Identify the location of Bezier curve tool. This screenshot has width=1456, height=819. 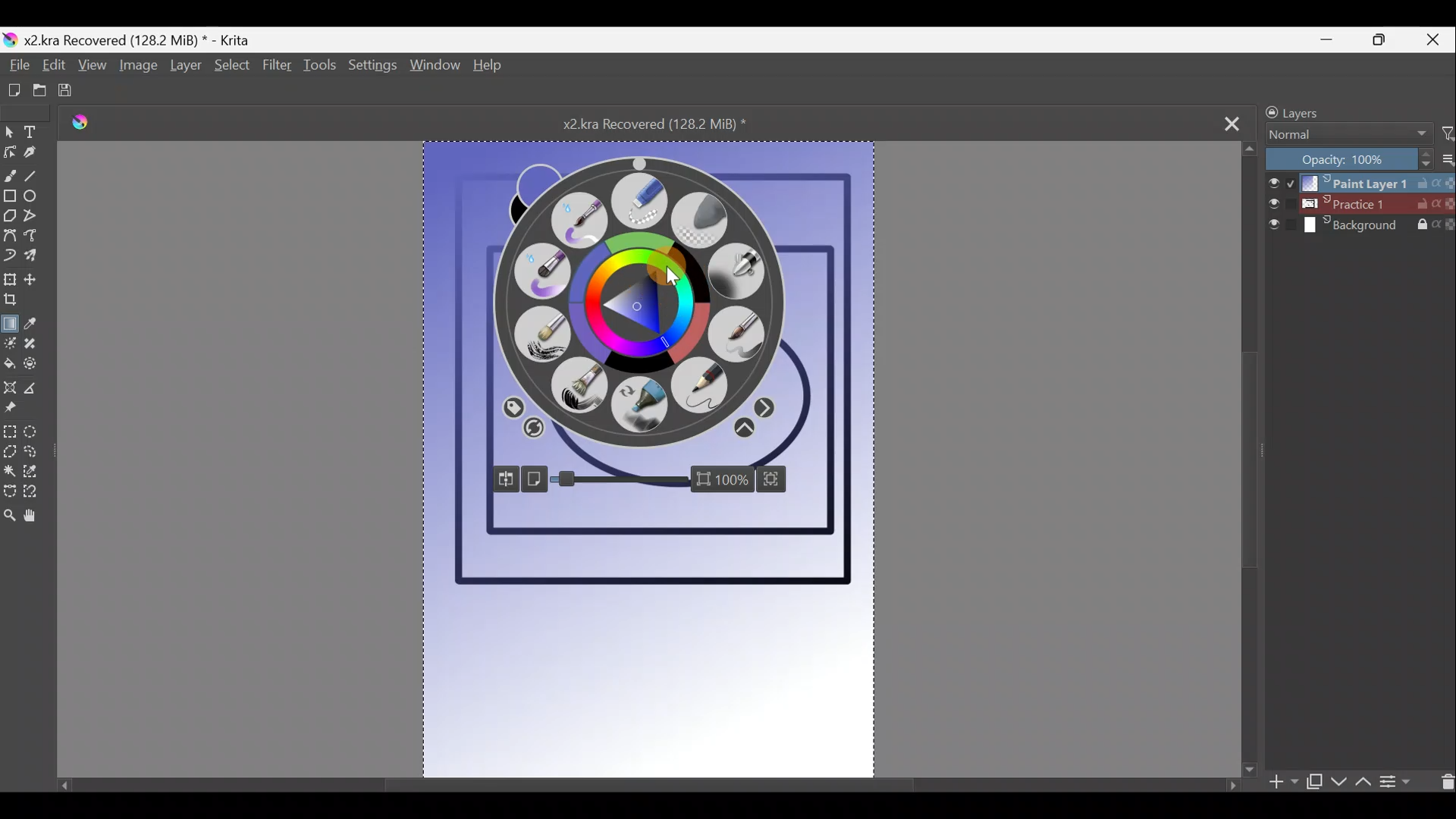
(10, 237).